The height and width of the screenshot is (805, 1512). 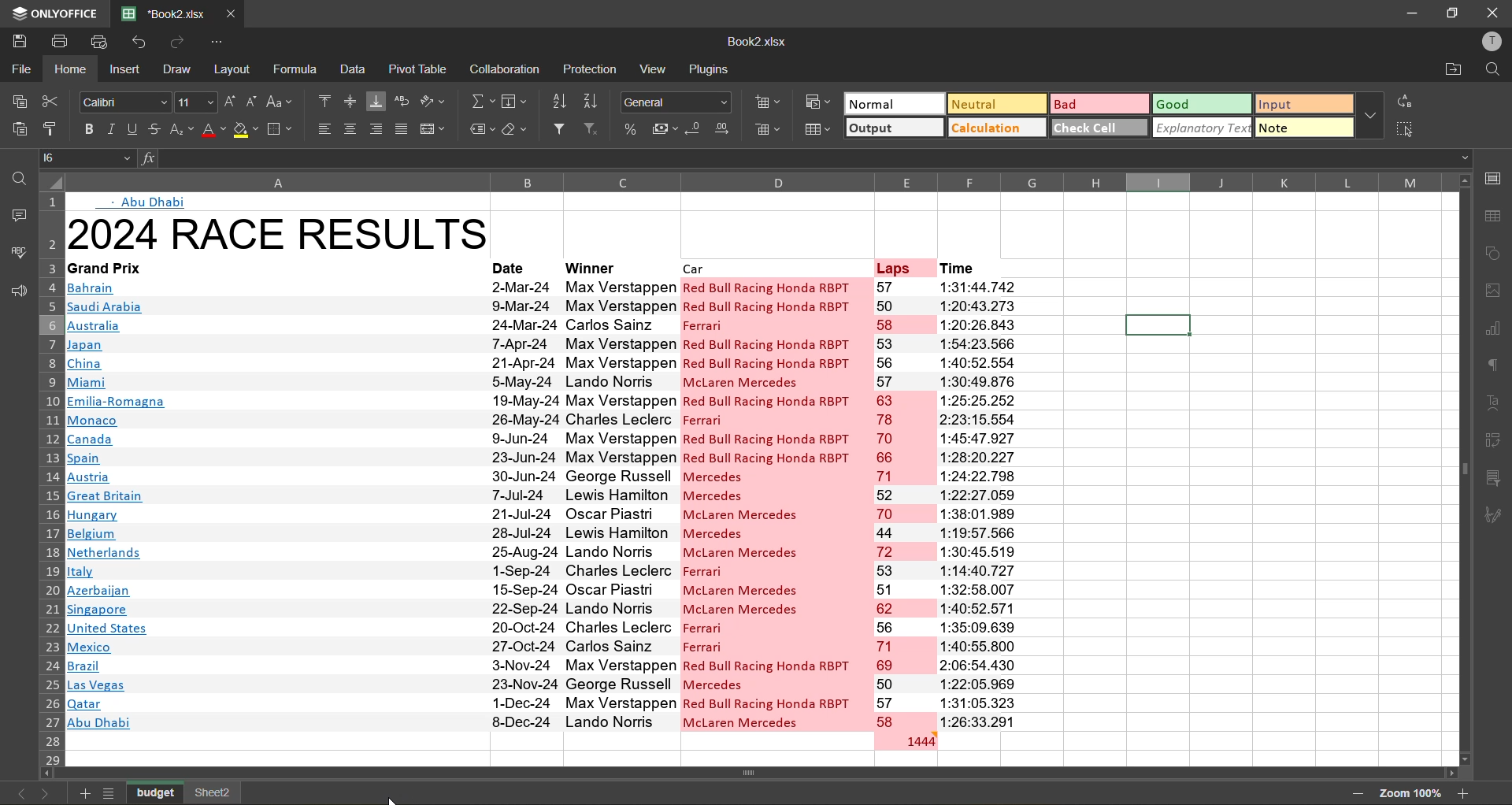 I want to click on date, so click(x=522, y=503).